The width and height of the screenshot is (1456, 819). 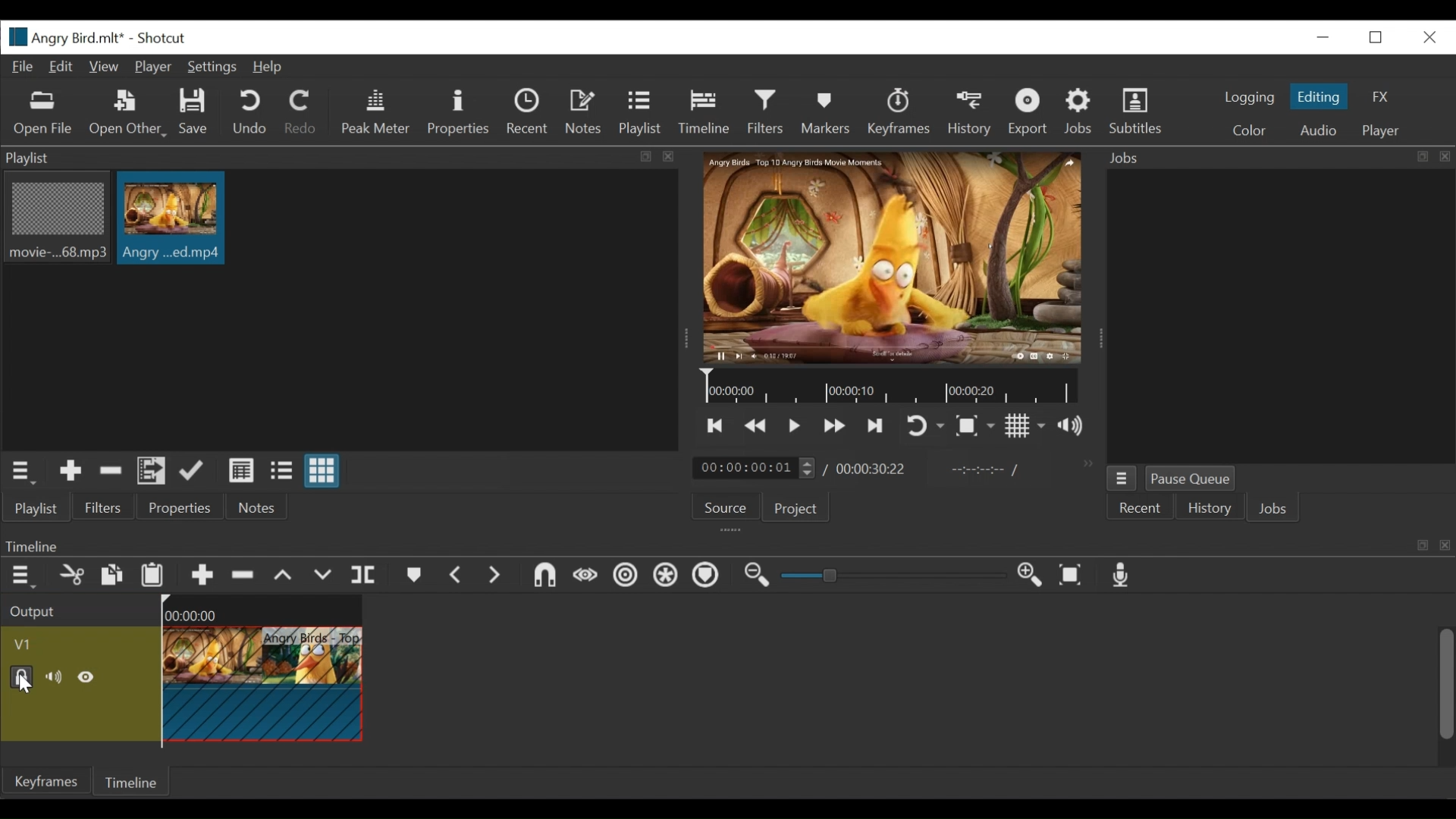 What do you see at coordinates (152, 67) in the screenshot?
I see `Player` at bounding box center [152, 67].